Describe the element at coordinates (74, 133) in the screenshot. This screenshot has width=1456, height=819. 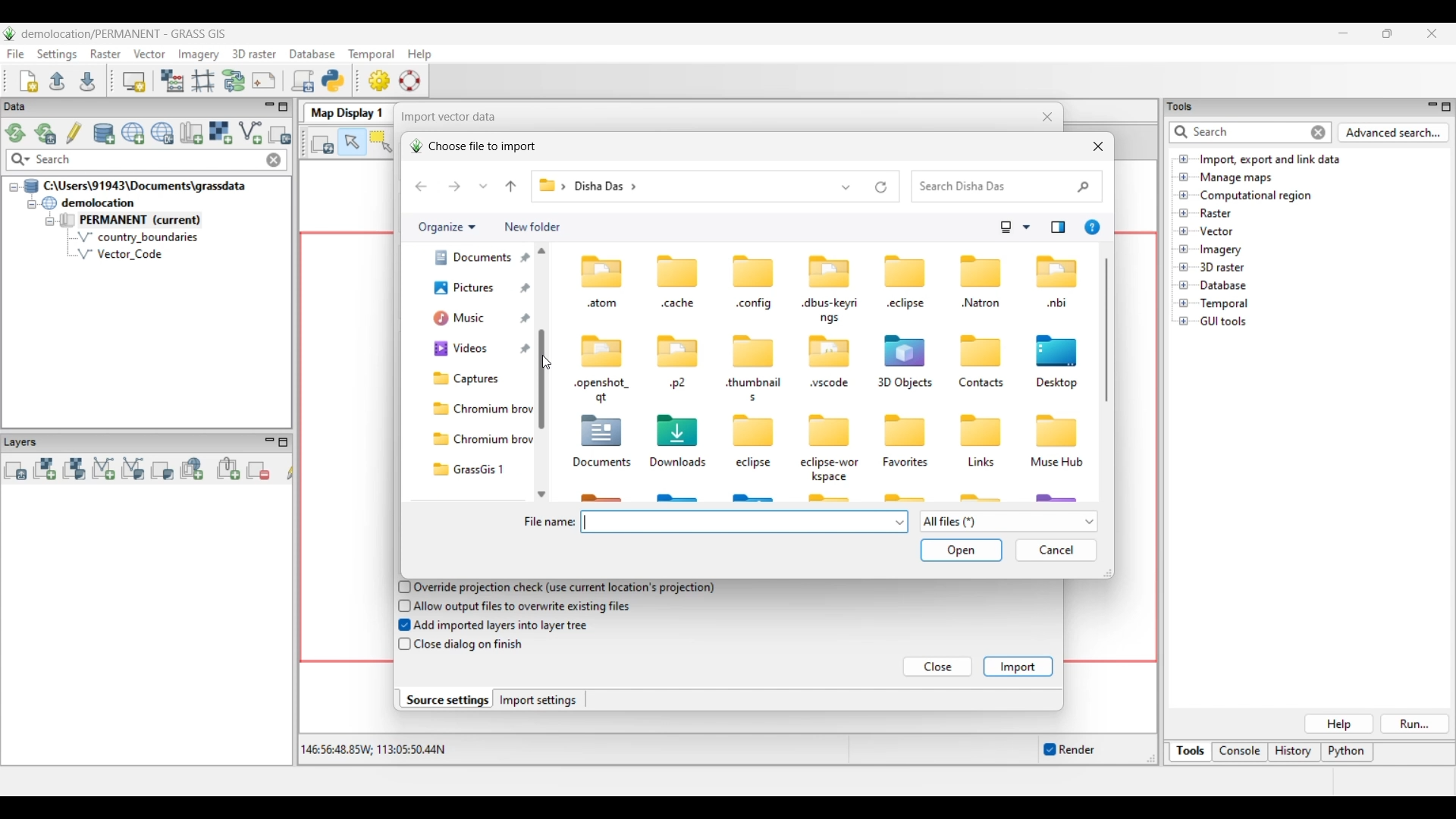
I see `Allow edits outside of the current mapset` at that location.